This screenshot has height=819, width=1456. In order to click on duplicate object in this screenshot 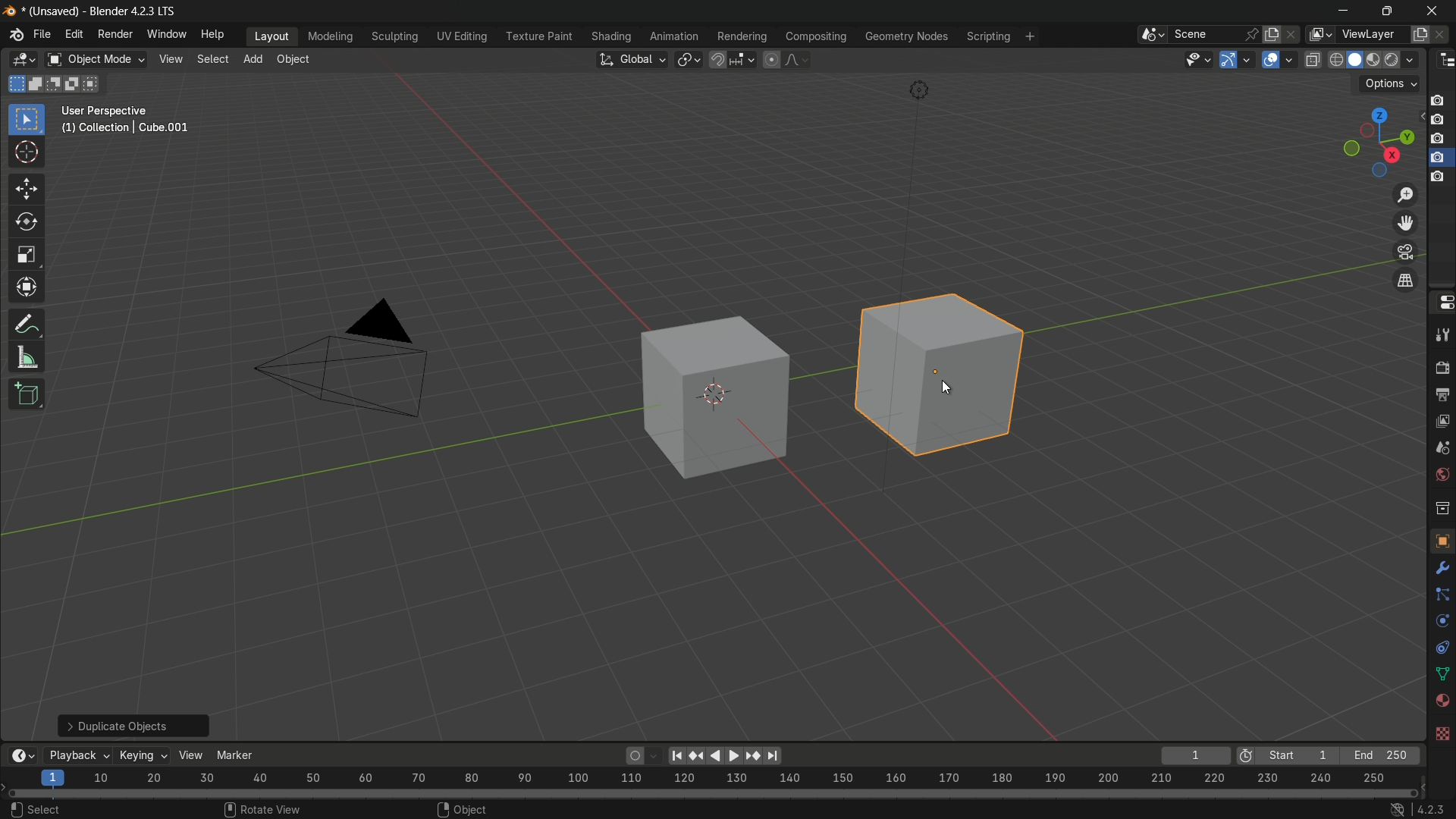, I will do `click(945, 384)`.